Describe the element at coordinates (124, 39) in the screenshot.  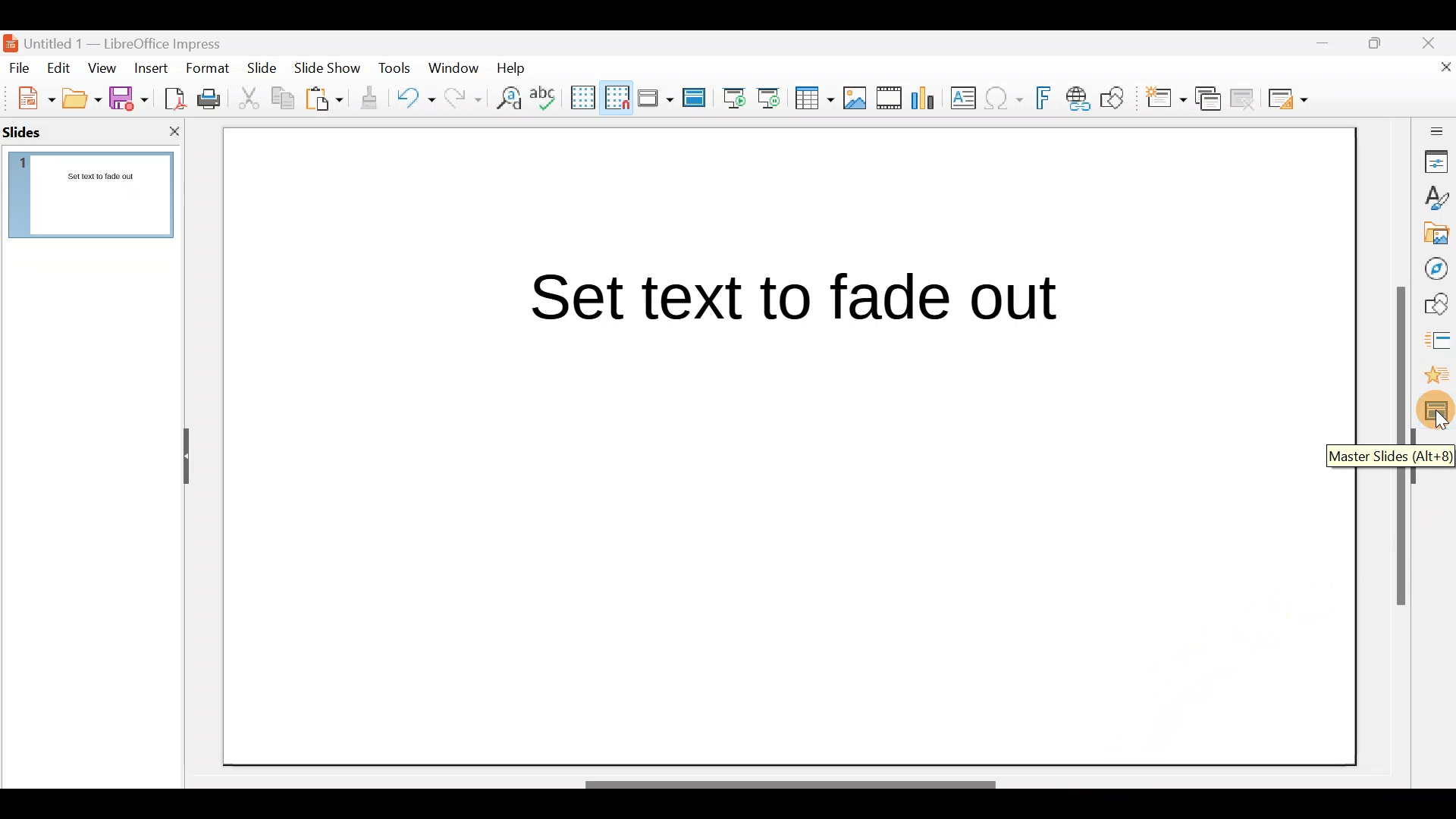
I see `Document name` at that location.